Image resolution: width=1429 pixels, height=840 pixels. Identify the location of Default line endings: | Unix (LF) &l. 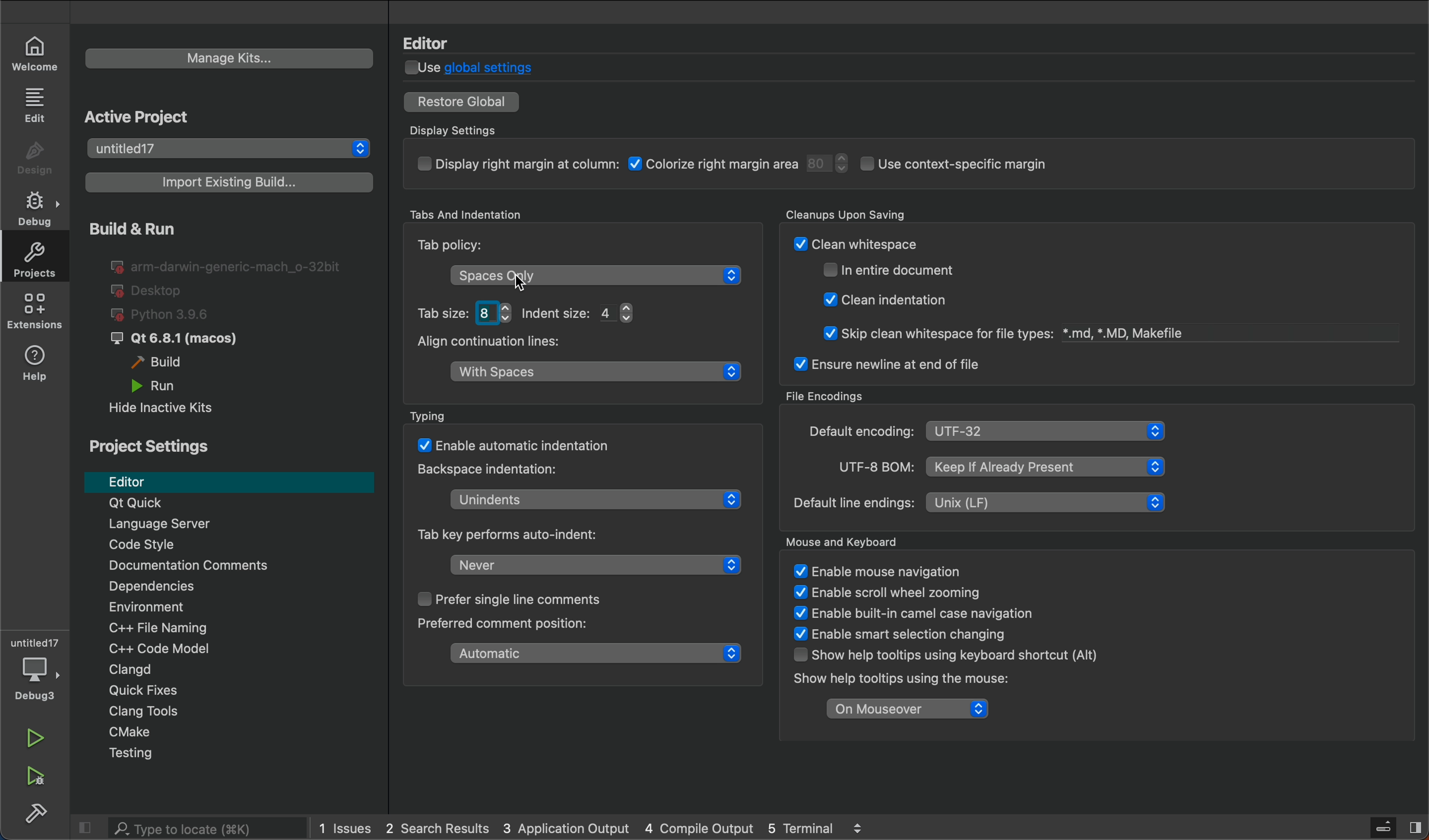
(976, 503).